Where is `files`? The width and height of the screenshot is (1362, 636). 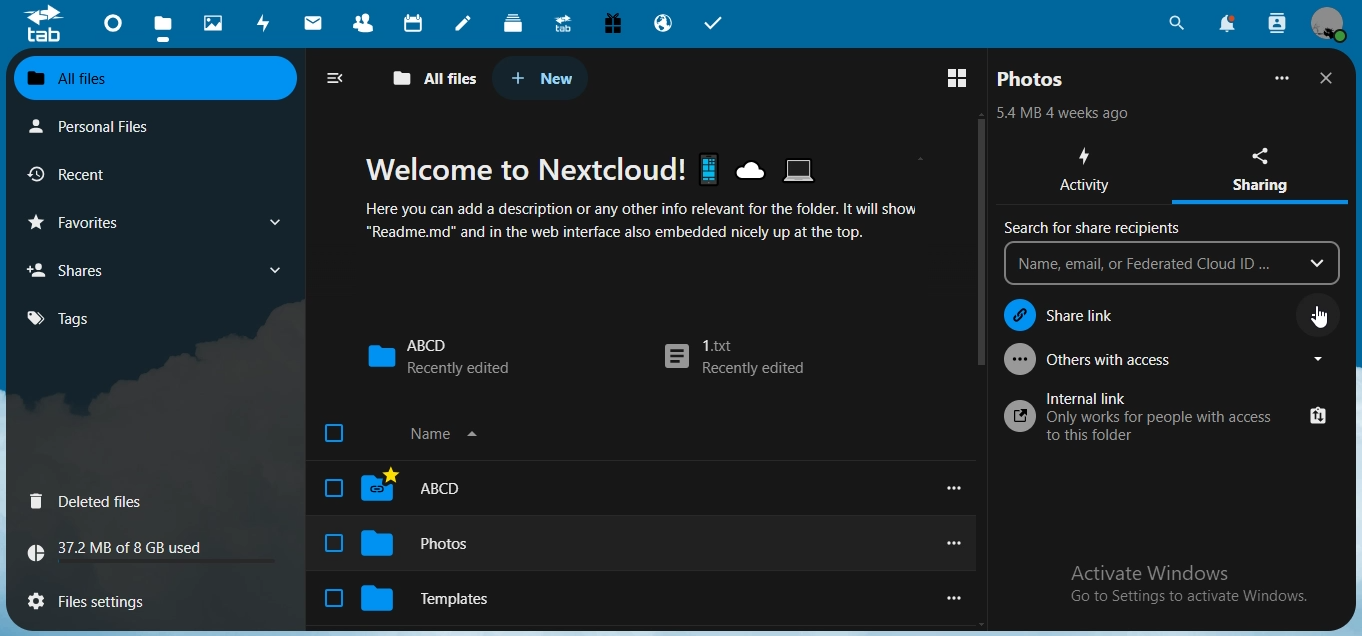 files is located at coordinates (163, 30).